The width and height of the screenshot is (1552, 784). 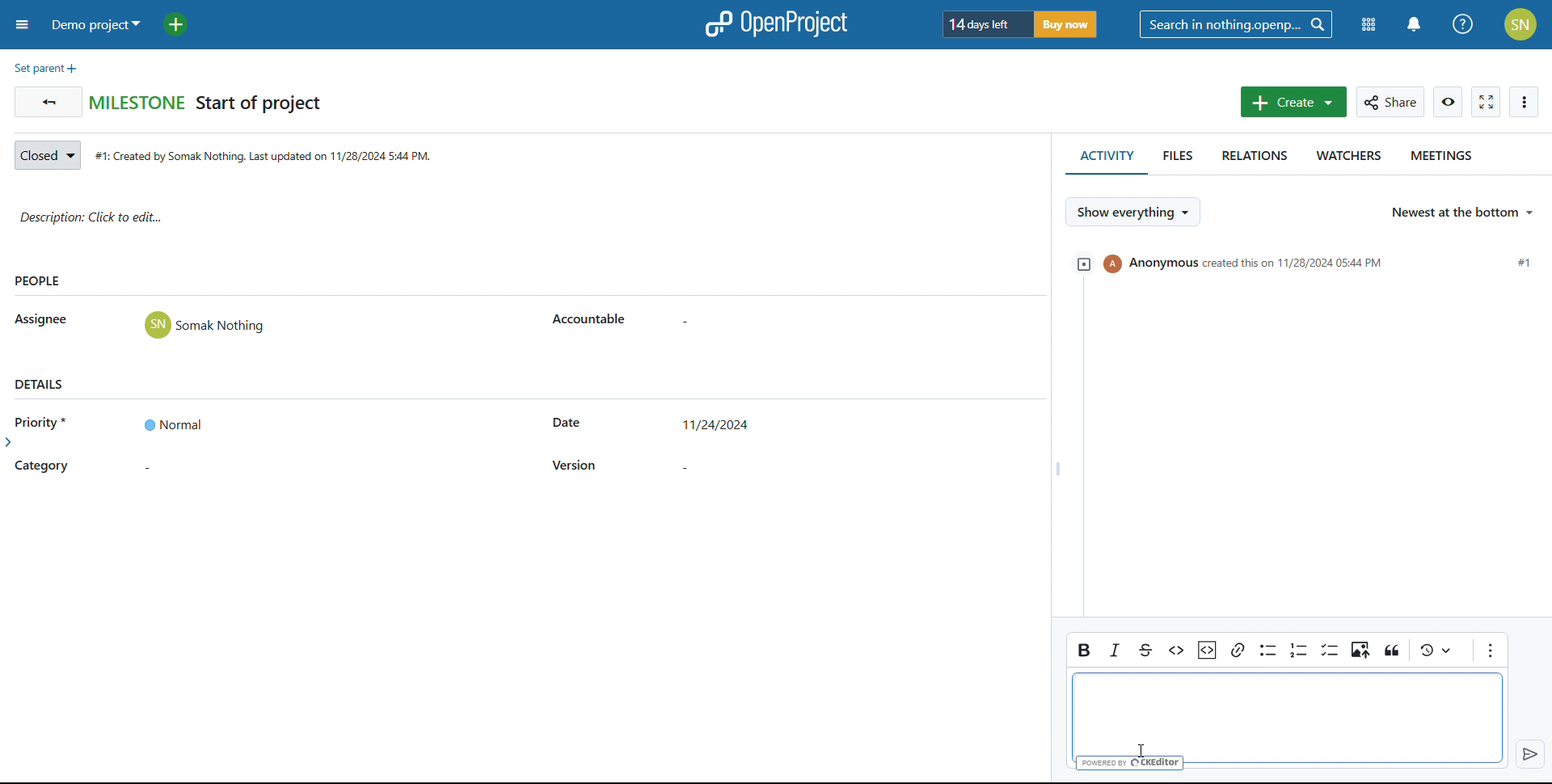 What do you see at coordinates (1366, 26) in the screenshot?
I see `modules` at bounding box center [1366, 26].